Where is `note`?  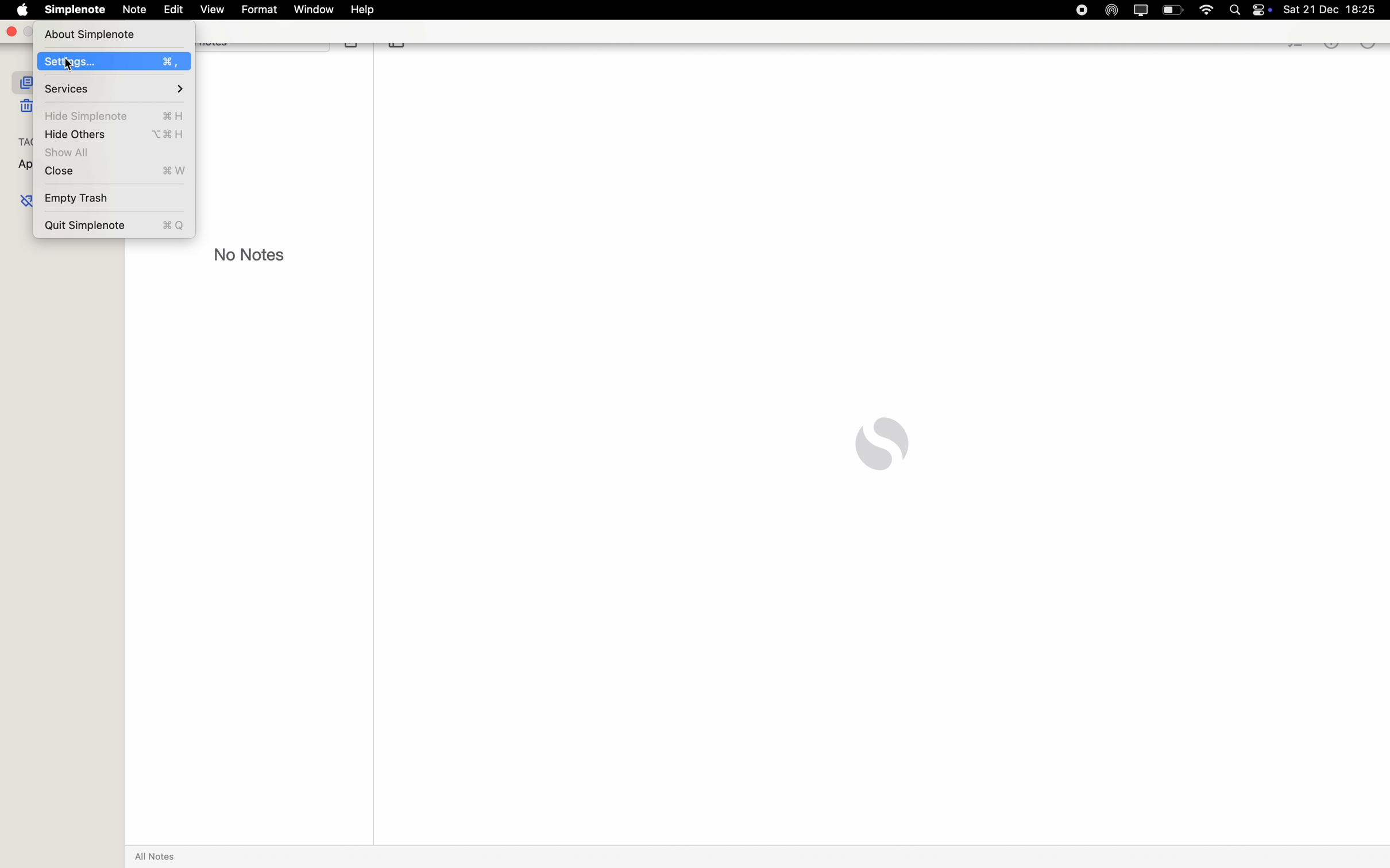
note is located at coordinates (134, 10).